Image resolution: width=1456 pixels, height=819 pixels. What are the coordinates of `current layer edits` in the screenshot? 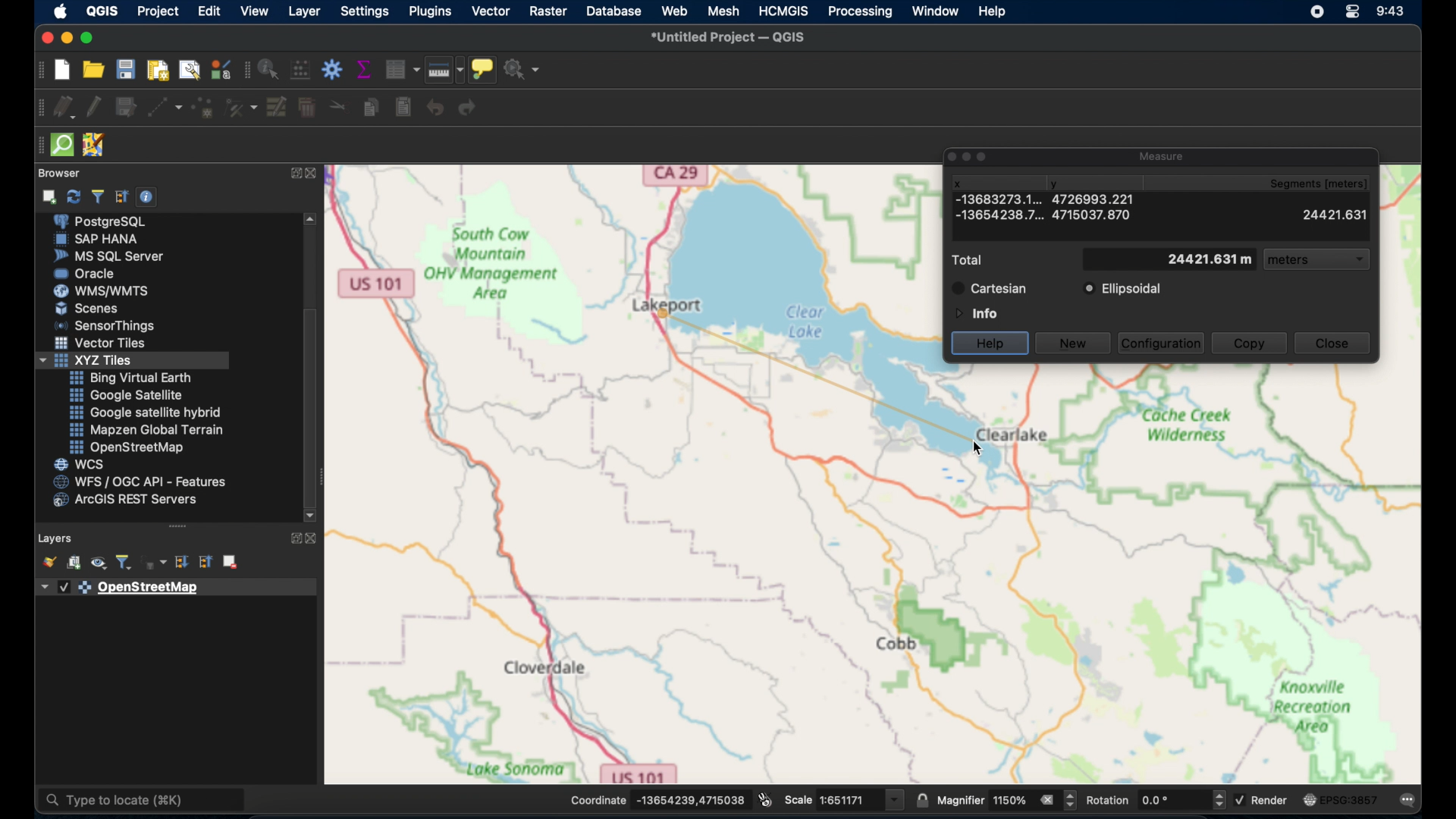 It's located at (62, 108).